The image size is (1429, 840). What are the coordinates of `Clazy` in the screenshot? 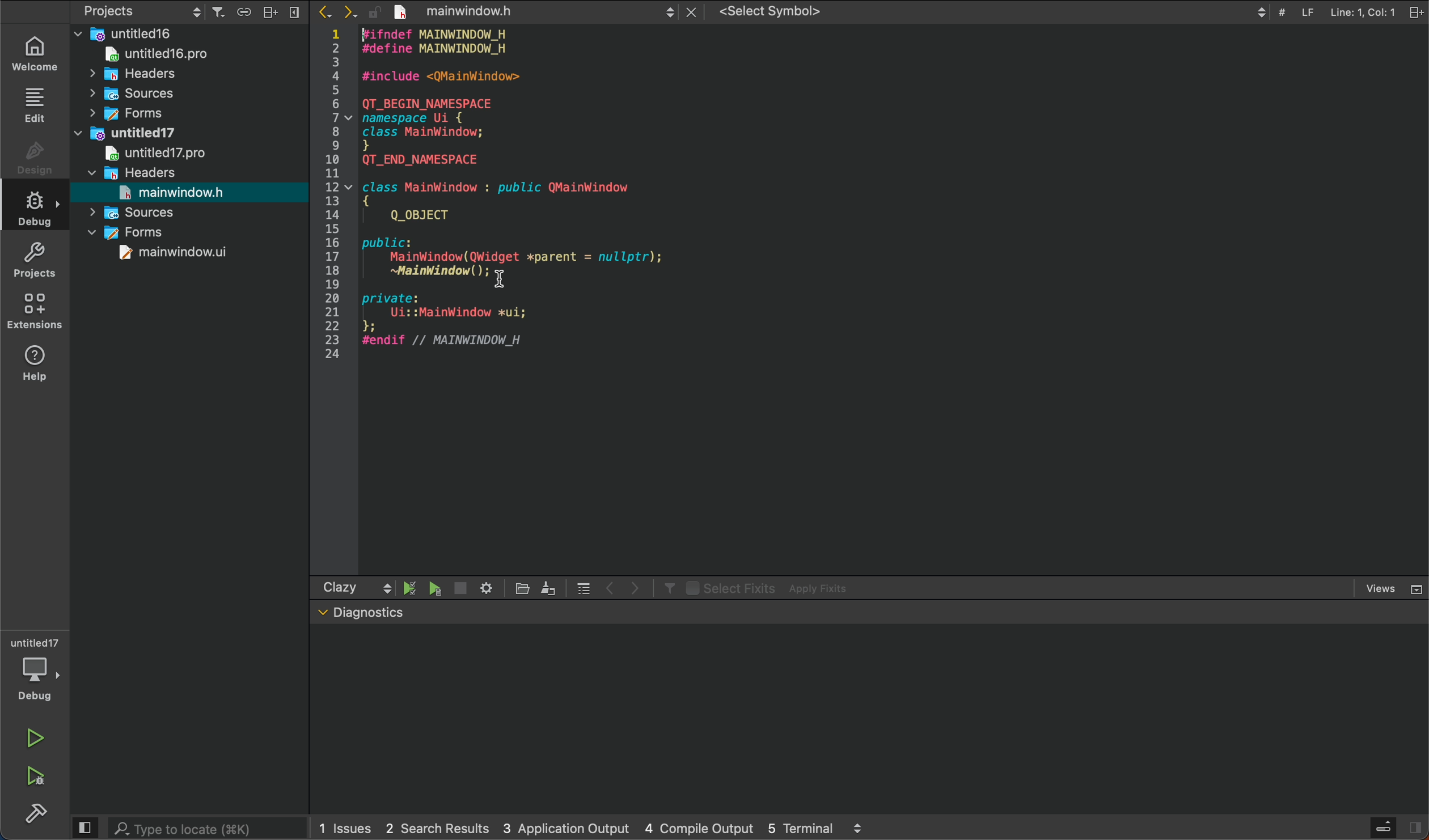 It's located at (340, 587).